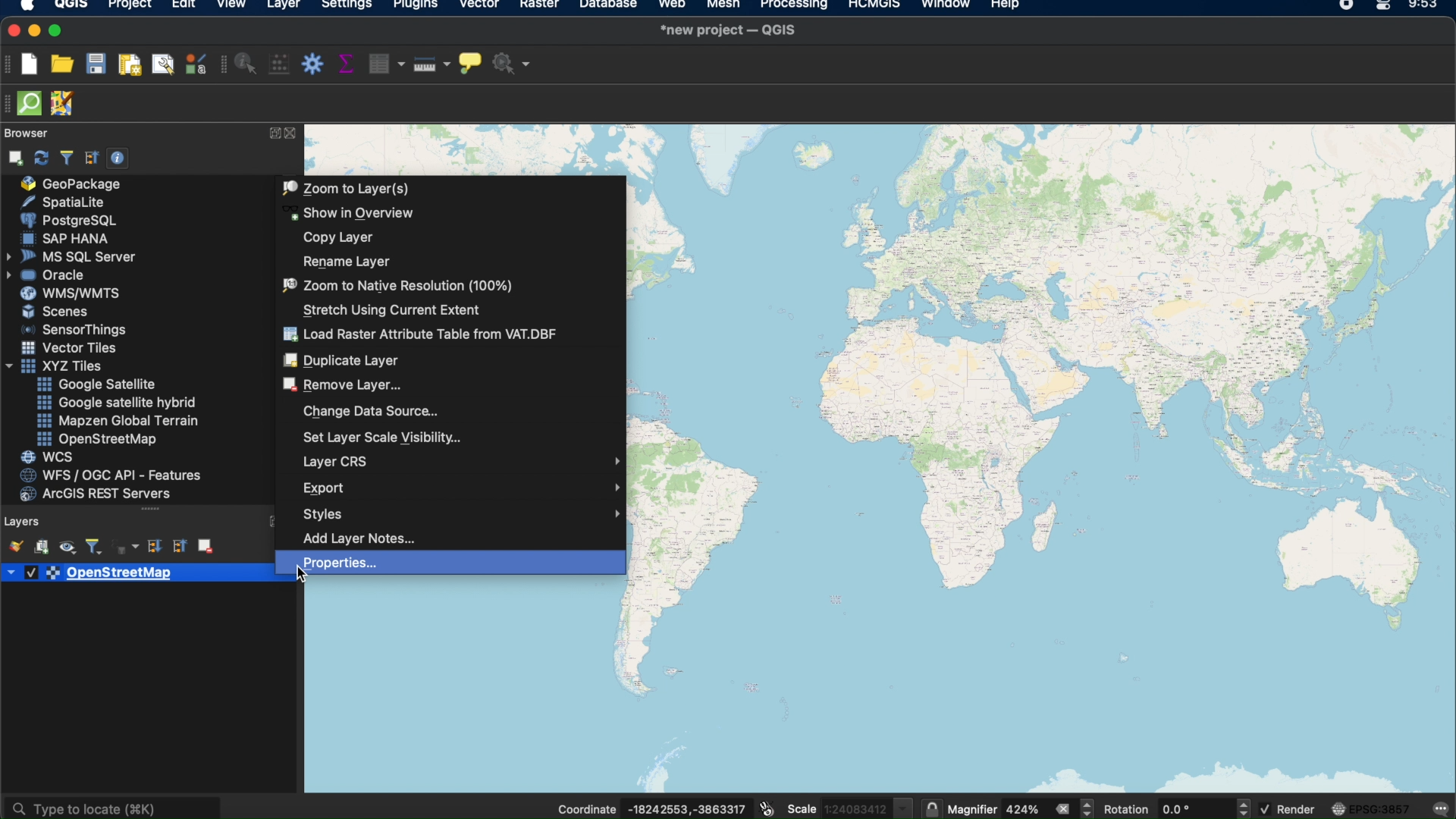 Image resolution: width=1456 pixels, height=819 pixels. What do you see at coordinates (31, 64) in the screenshot?
I see `new project` at bounding box center [31, 64].